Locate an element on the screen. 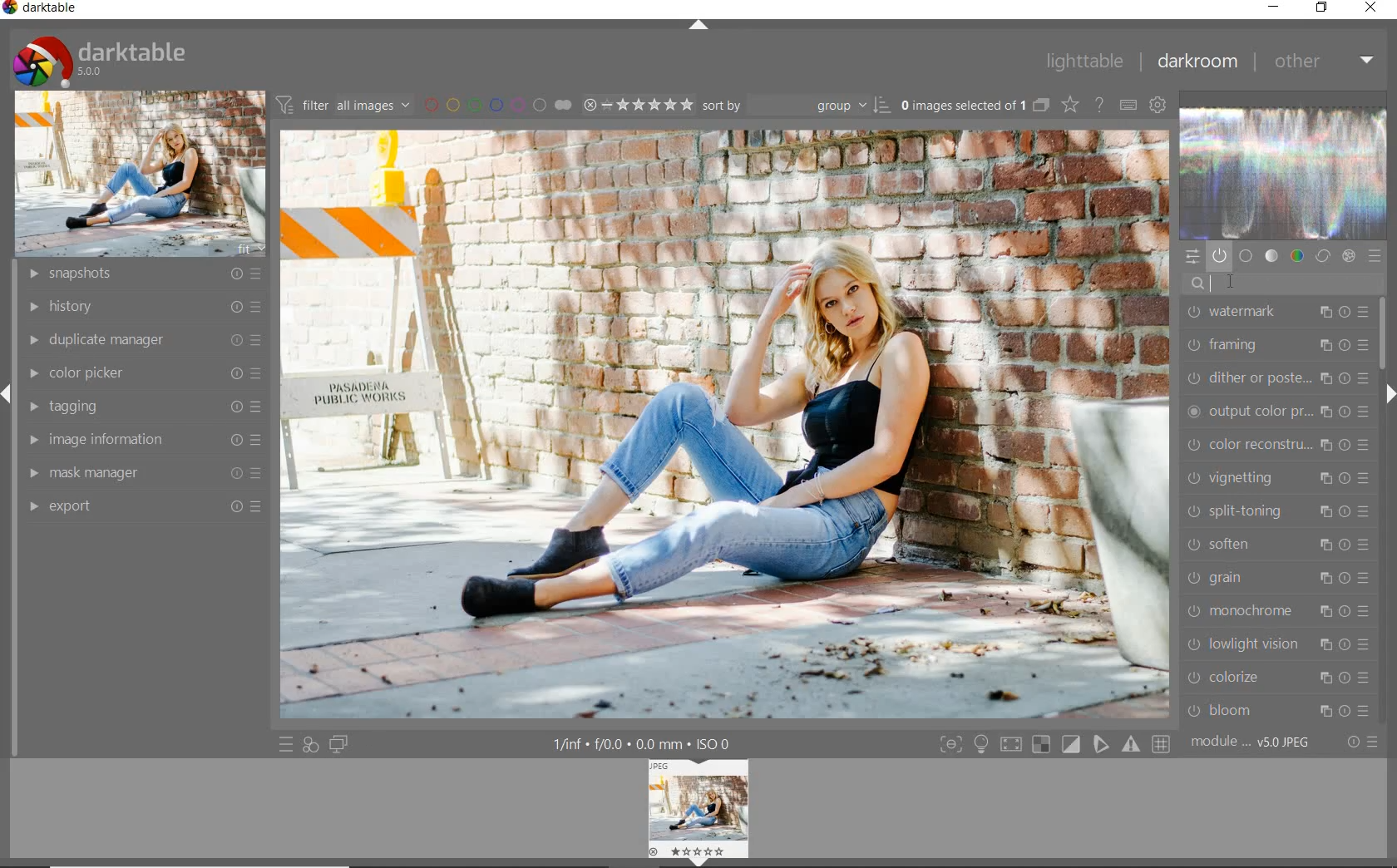  Image preview is located at coordinates (696, 813).